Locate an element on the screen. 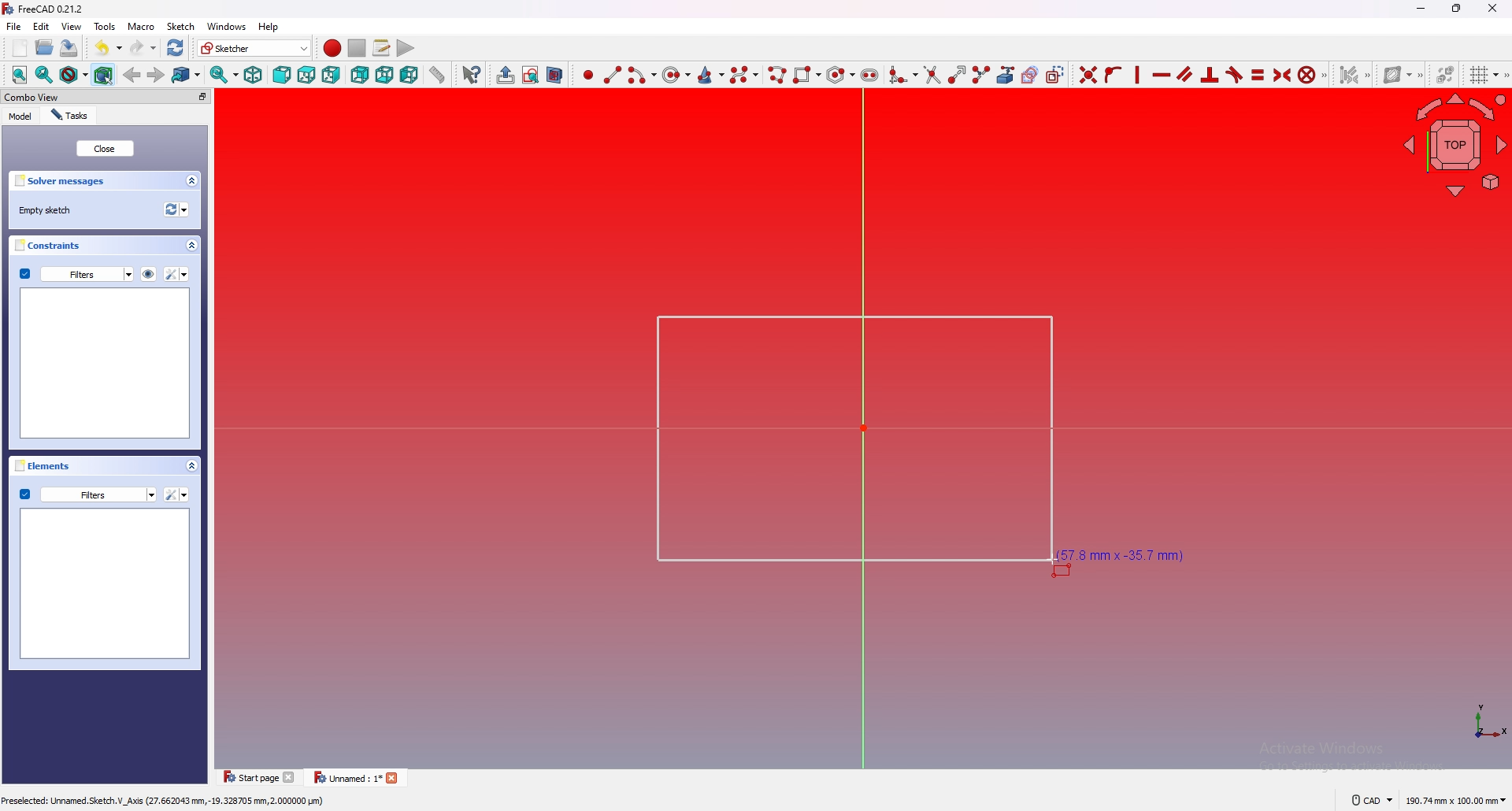 Image resolution: width=1512 pixels, height=811 pixels. cad navigation is located at coordinates (1373, 800).